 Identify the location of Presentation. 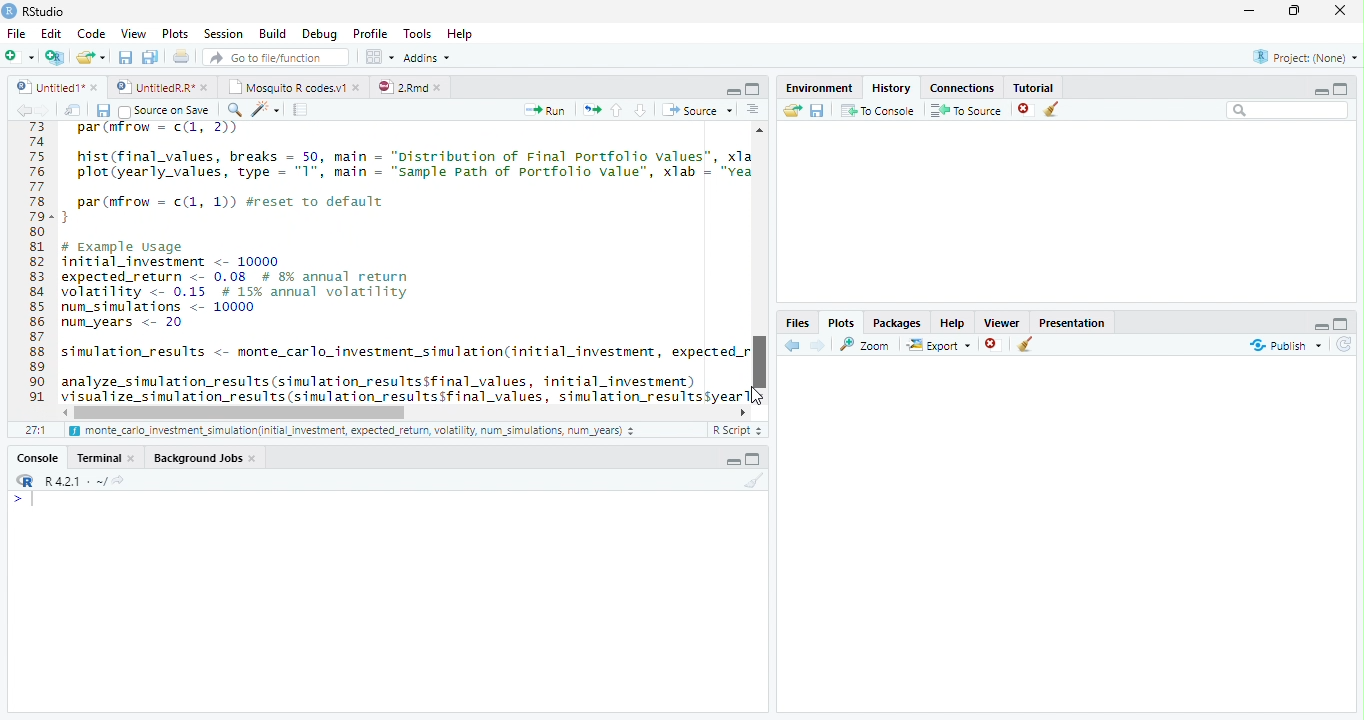
(1072, 321).